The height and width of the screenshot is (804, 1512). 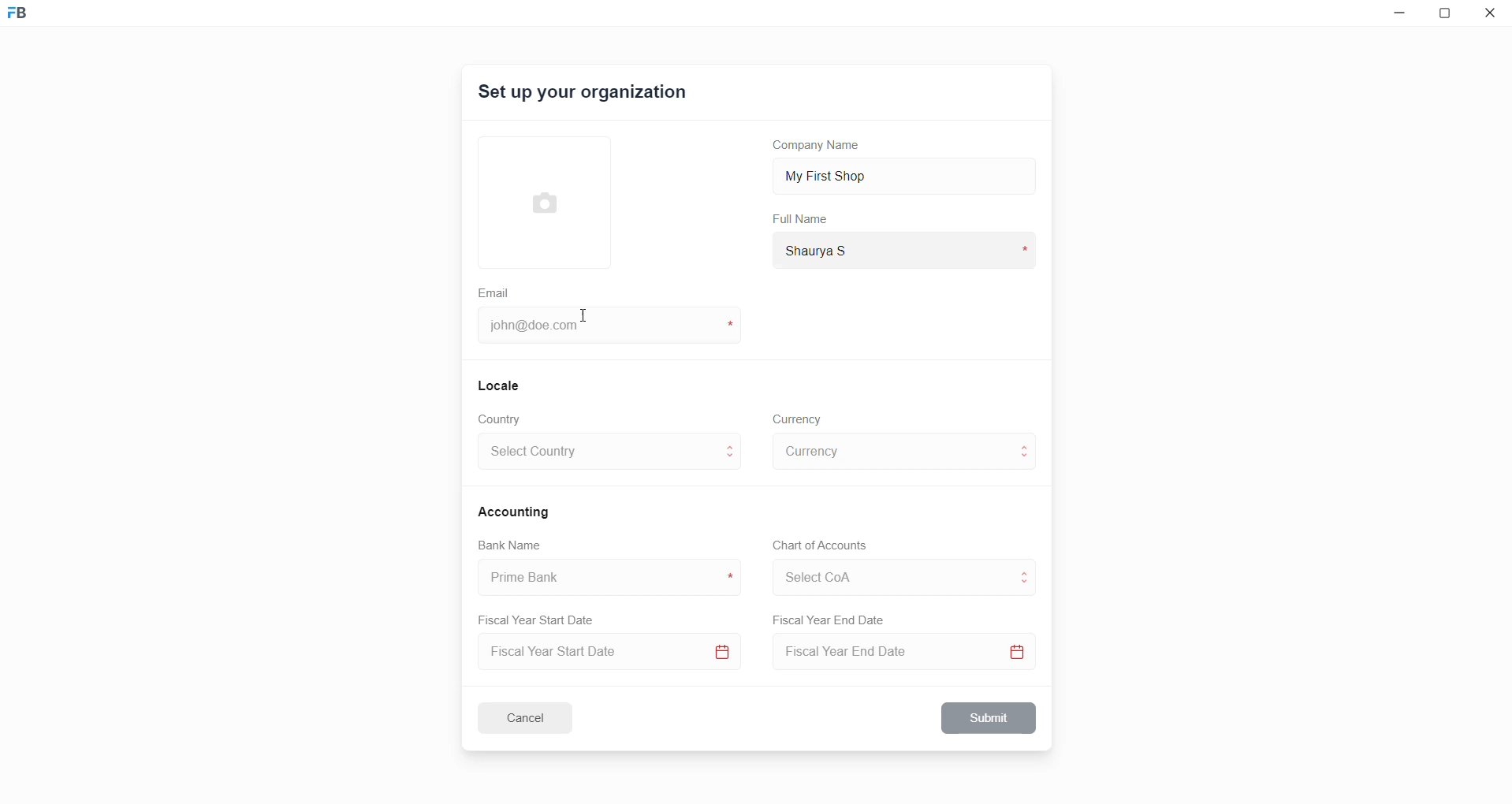 What do you see at coordinates (851, 174) in the screenshot?
I see `My First Shop` at bounding box center [851, 174].